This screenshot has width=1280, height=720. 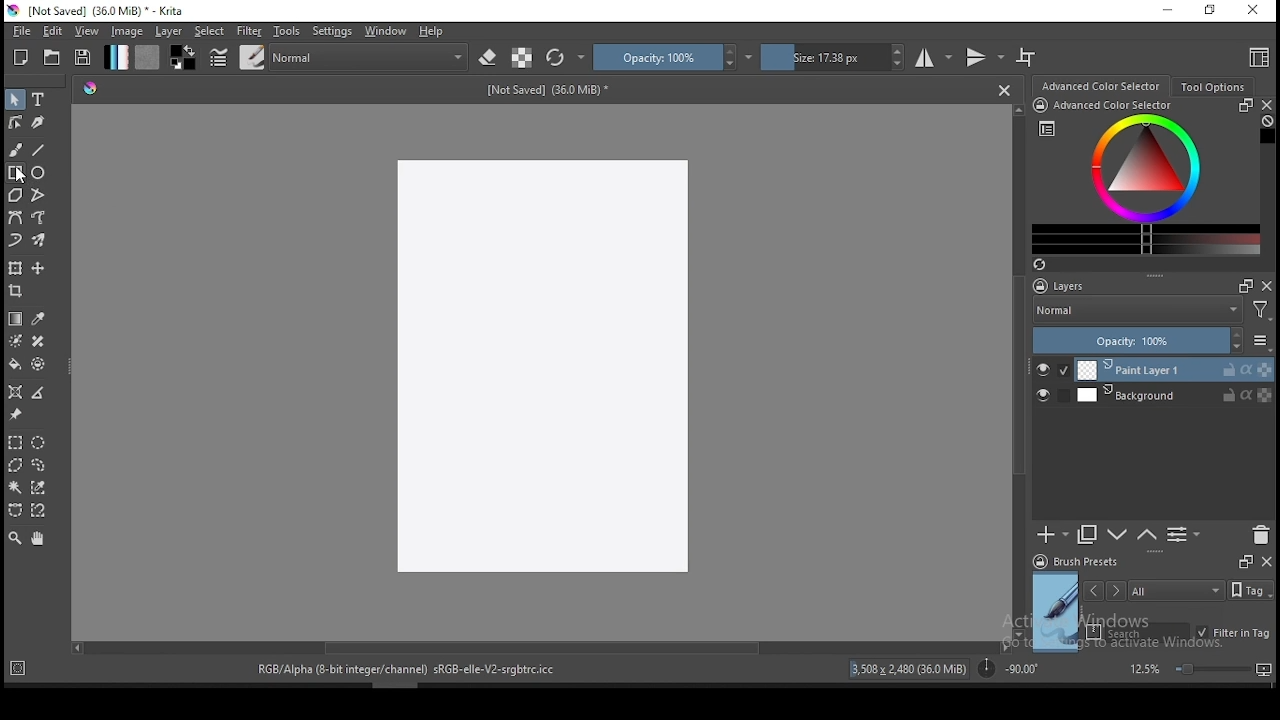 What do you see at coordinates (147, 57) in the screenshot?
I see `pattern` at bounding box center [147, 57].